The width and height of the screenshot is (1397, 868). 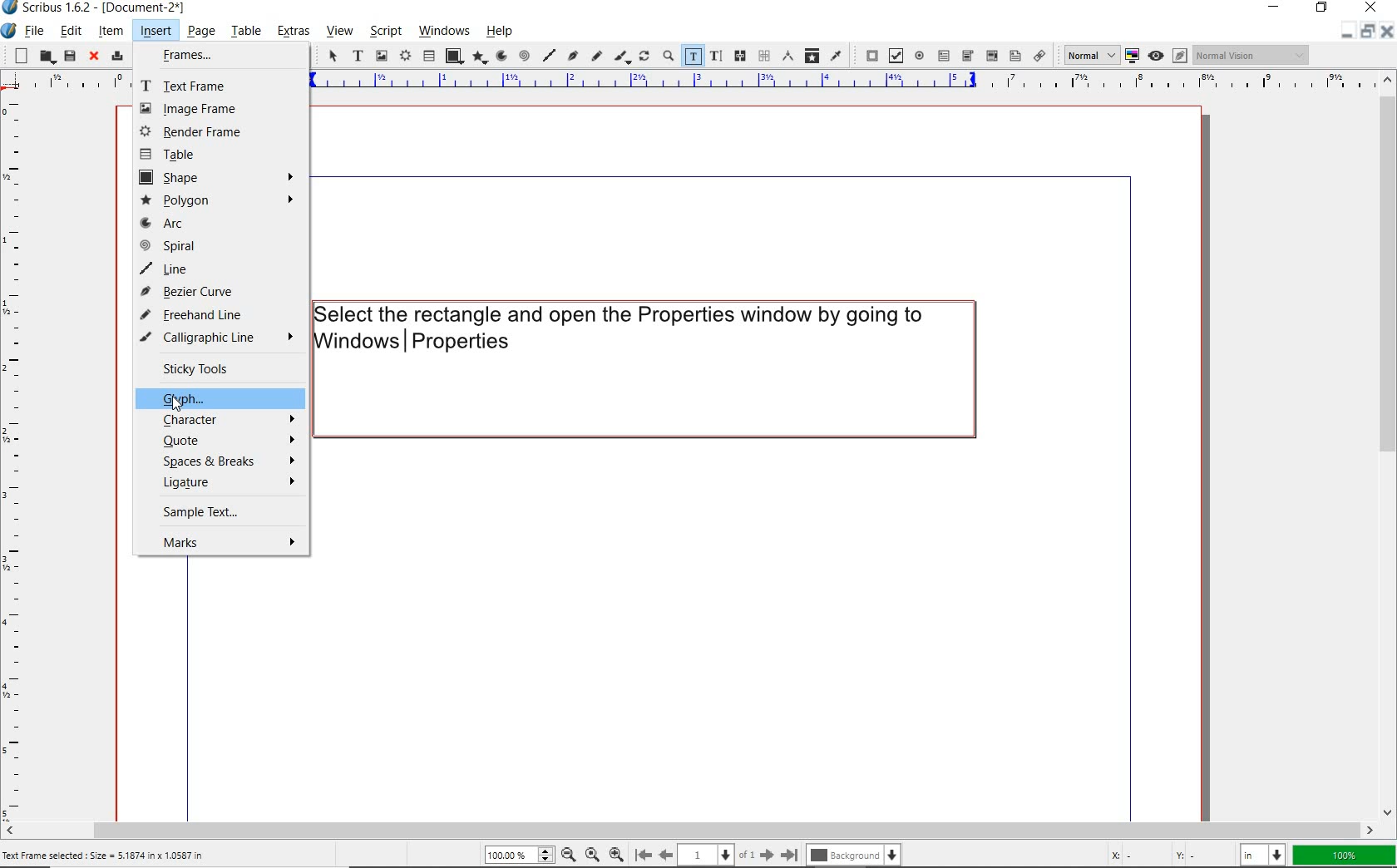 What do you see at coordinates (245, 30) in the screenshot?
I see `table` at bounding box center [245, 30].